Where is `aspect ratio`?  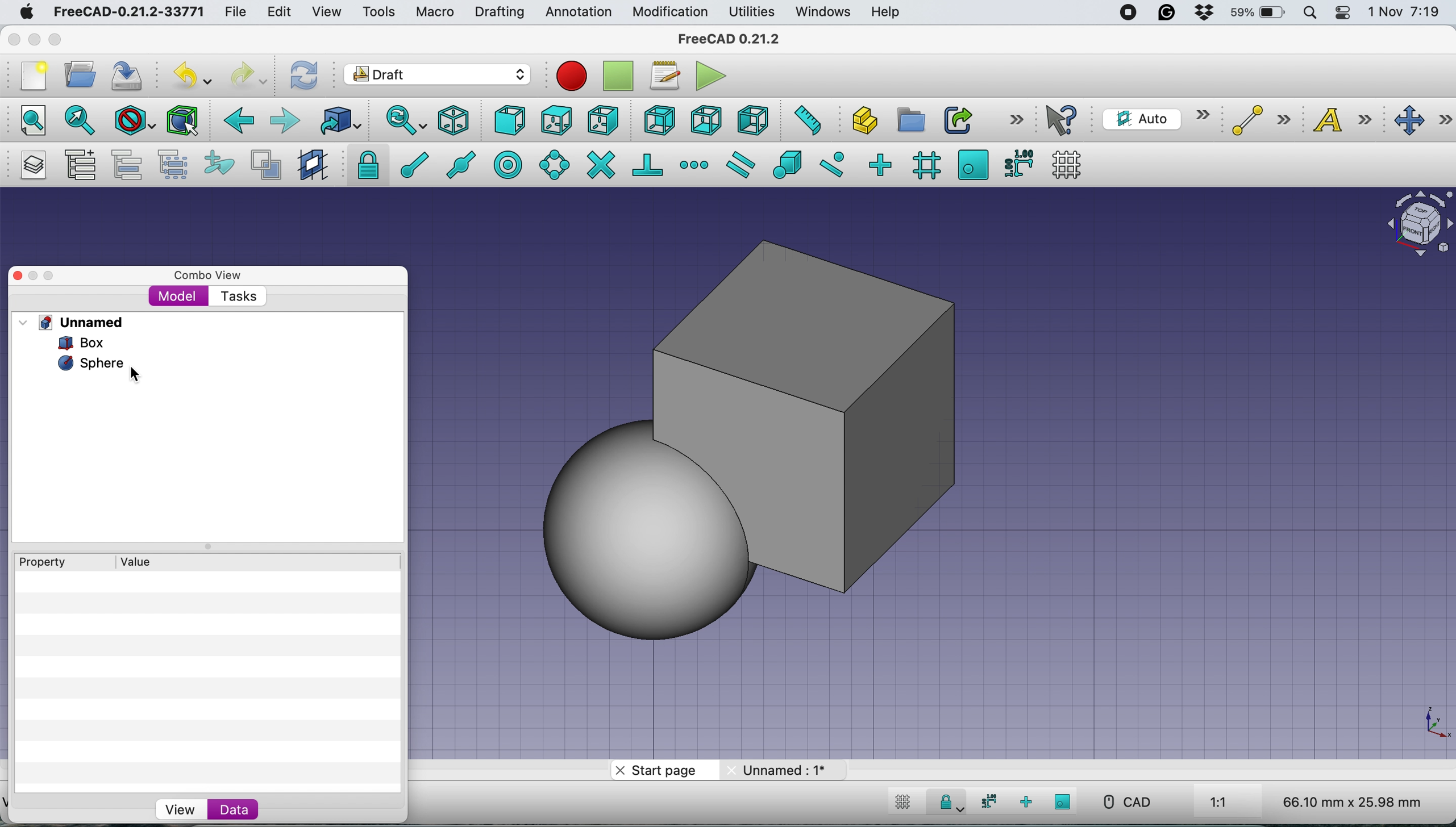
aspect ratio is located at coordinates (1219, 803).